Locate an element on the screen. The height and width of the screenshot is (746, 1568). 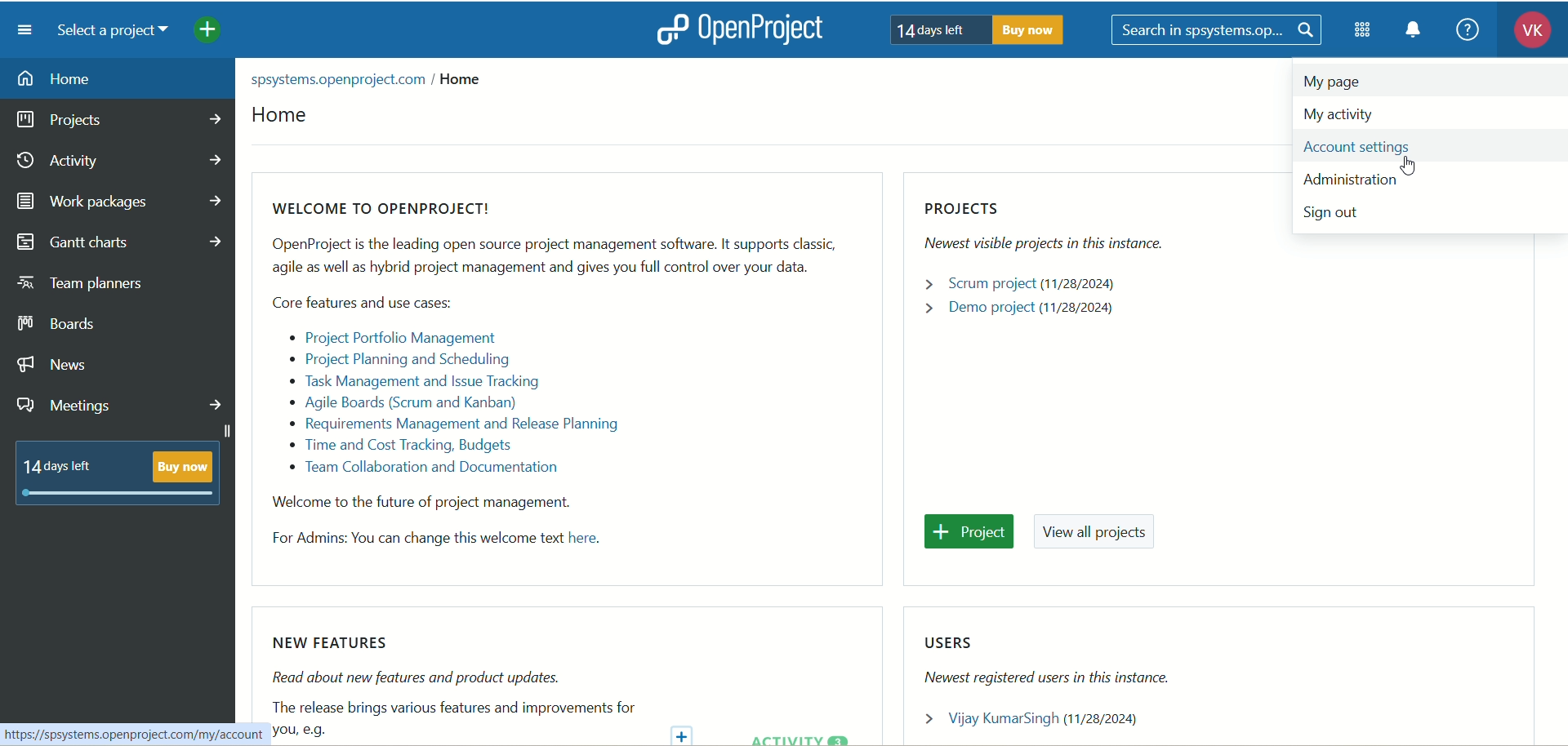
home is located at coordinates (120, 79).